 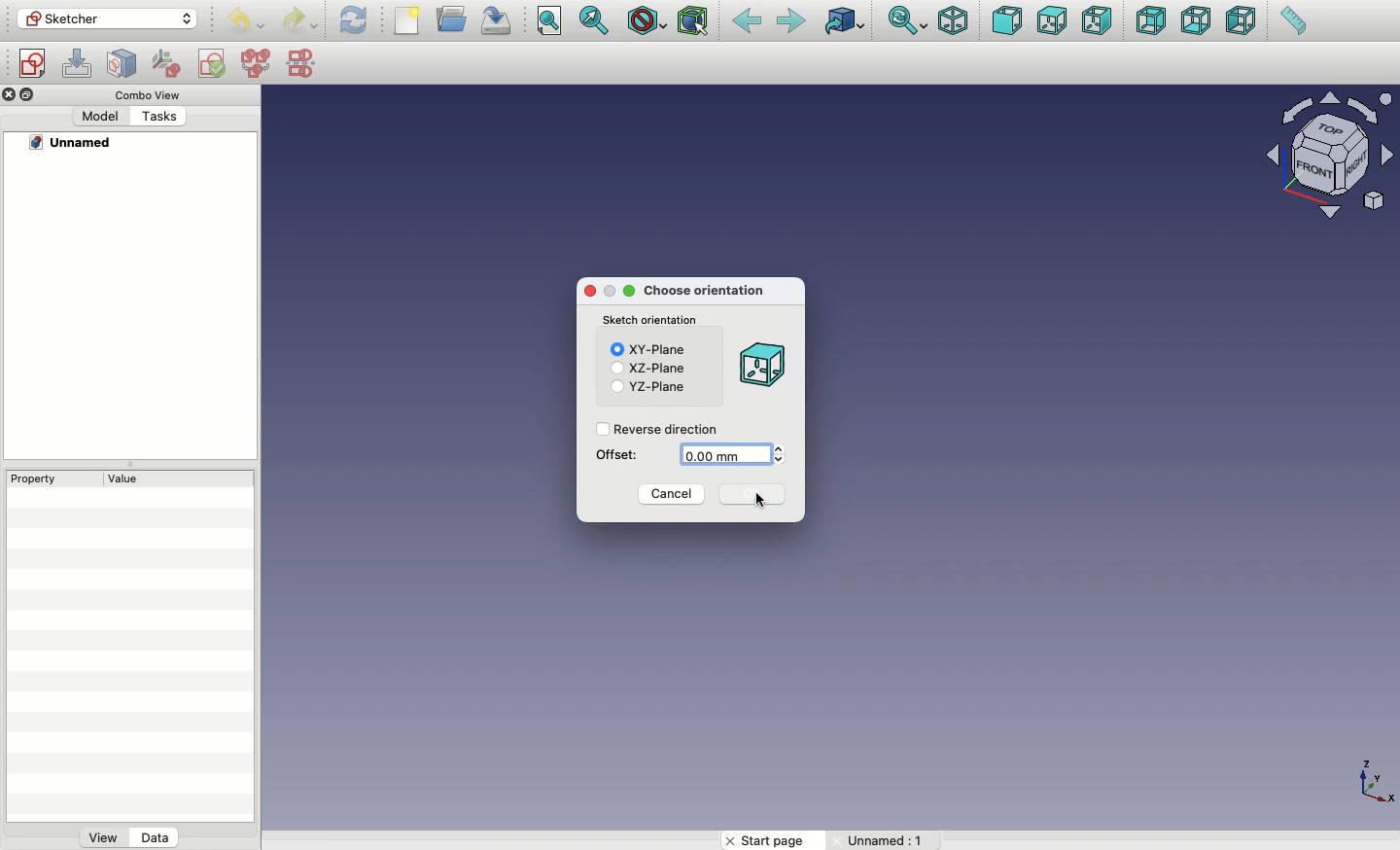 I want to click on Offset, so click(x=616, y=455).